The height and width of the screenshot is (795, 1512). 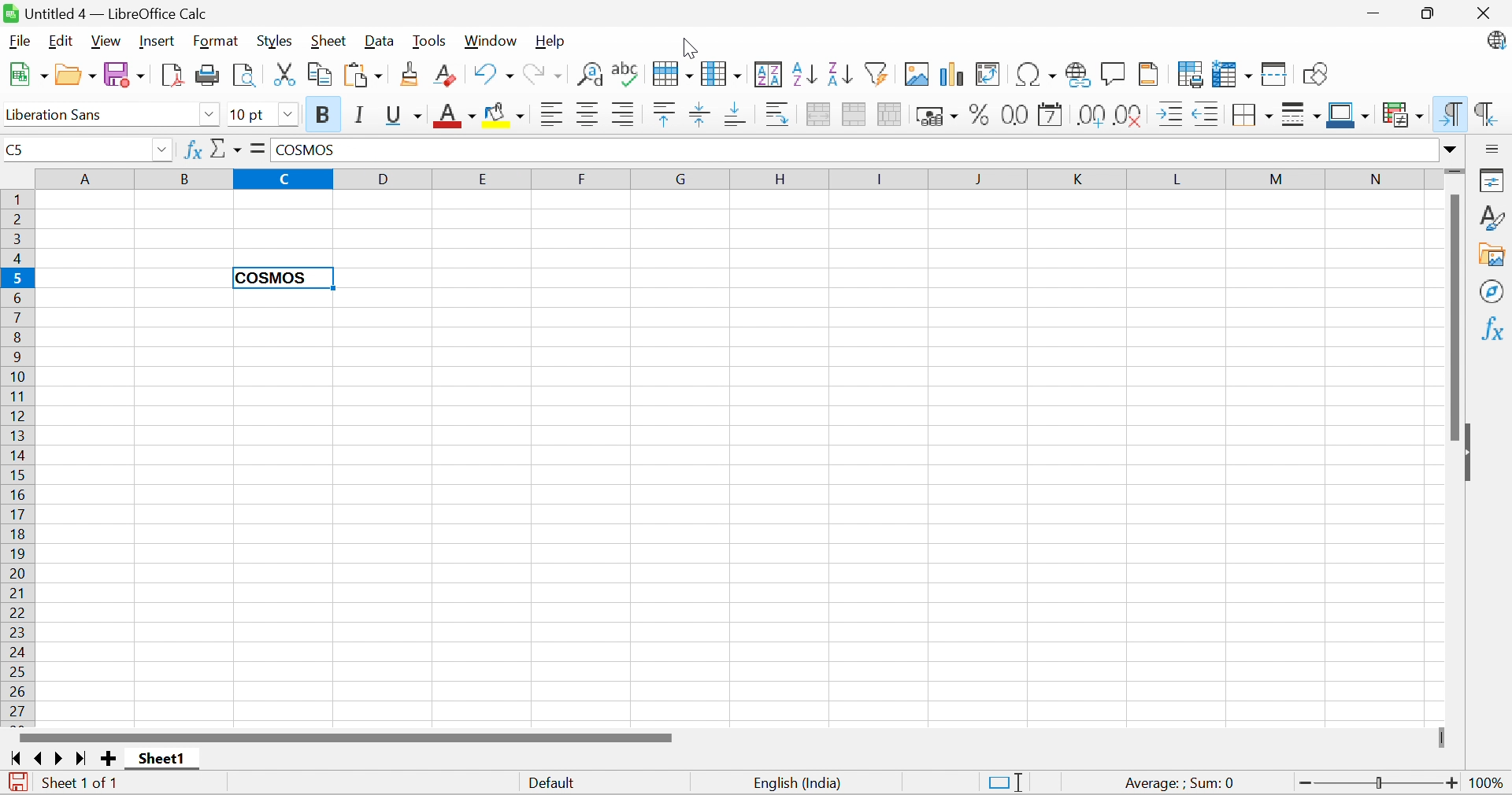 What do you see at coordinates (1494, 182) in the screenshot?
I see `Properties` at bounding box center [1494, 182].